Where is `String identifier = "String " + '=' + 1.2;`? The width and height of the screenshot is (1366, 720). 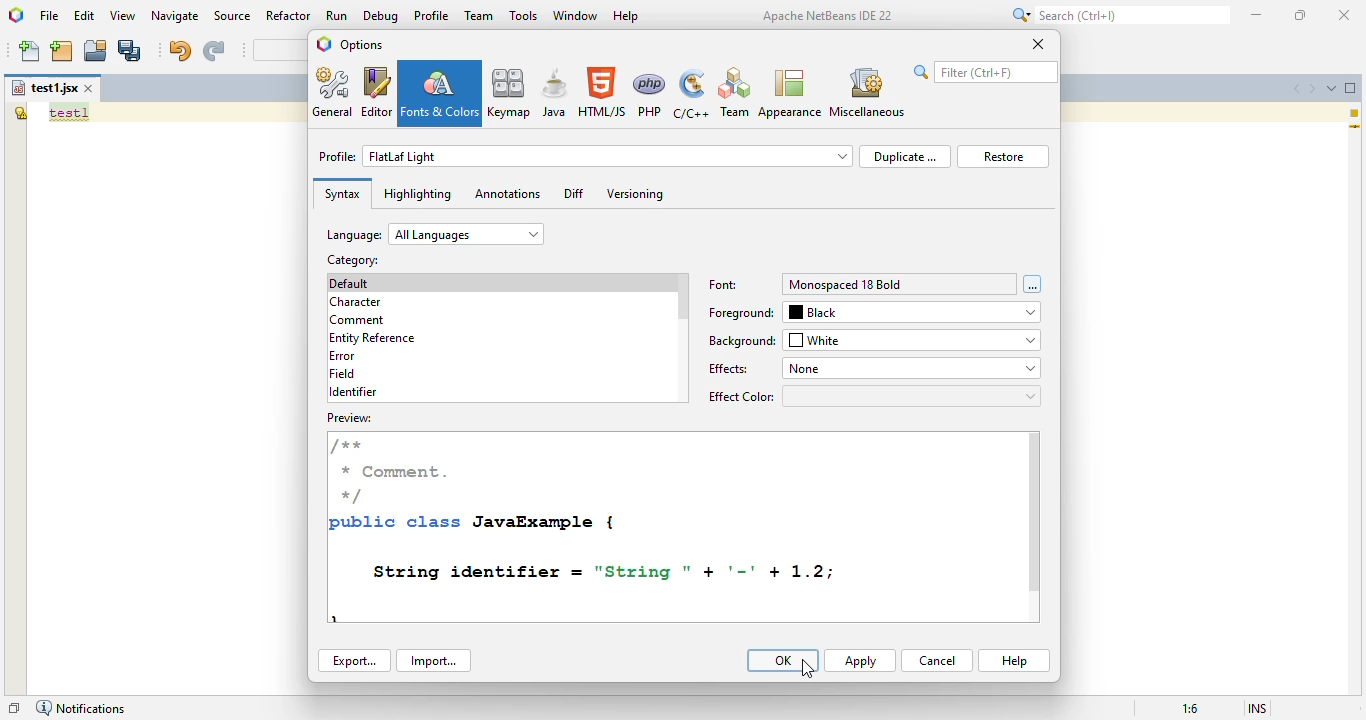
String identifier = "String " + '=' + 1.2; is located at coordinates (603, 570).